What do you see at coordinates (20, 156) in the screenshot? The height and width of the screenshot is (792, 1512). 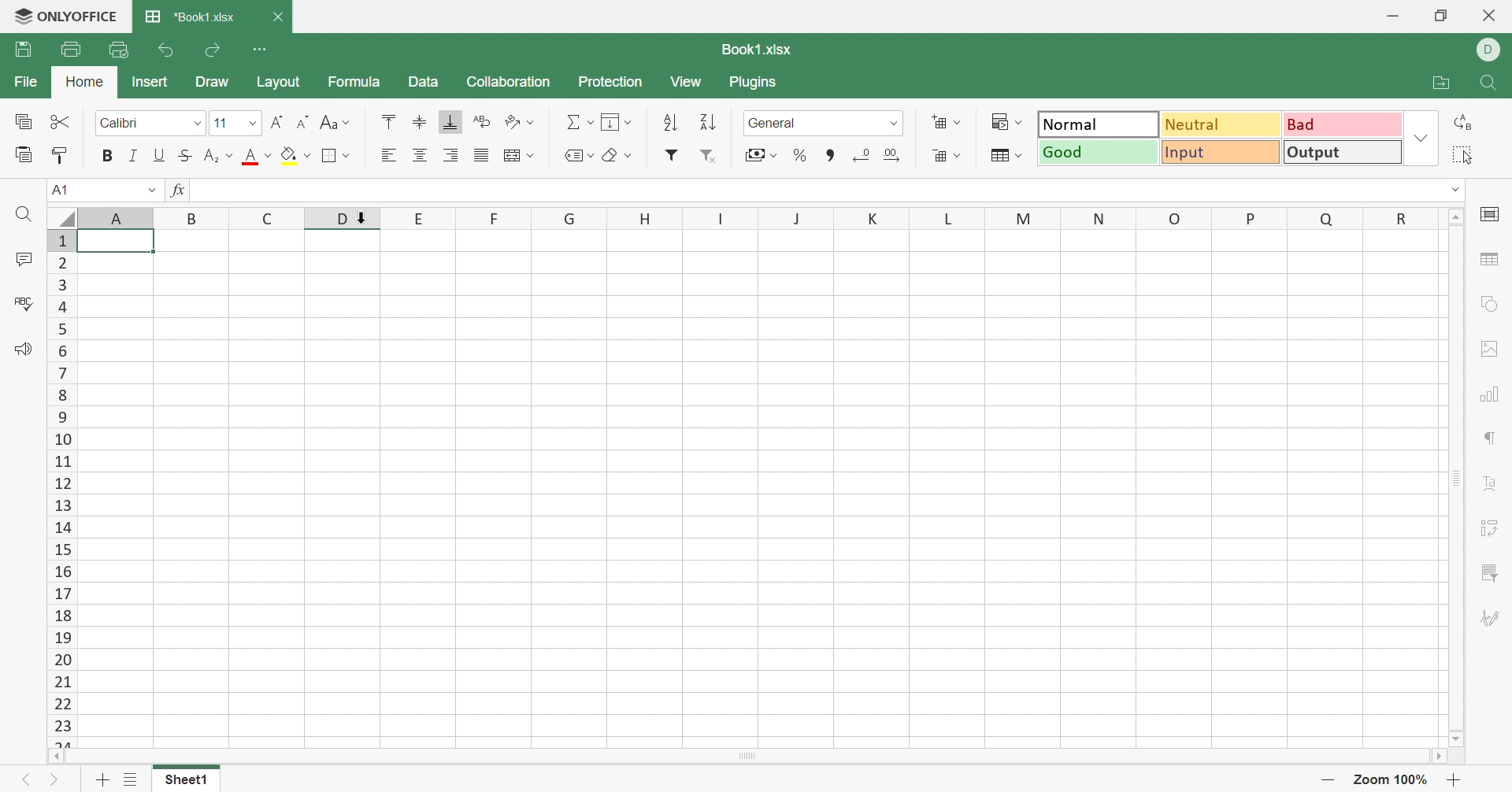 I see `Paste` at bounding box center [20, 156].